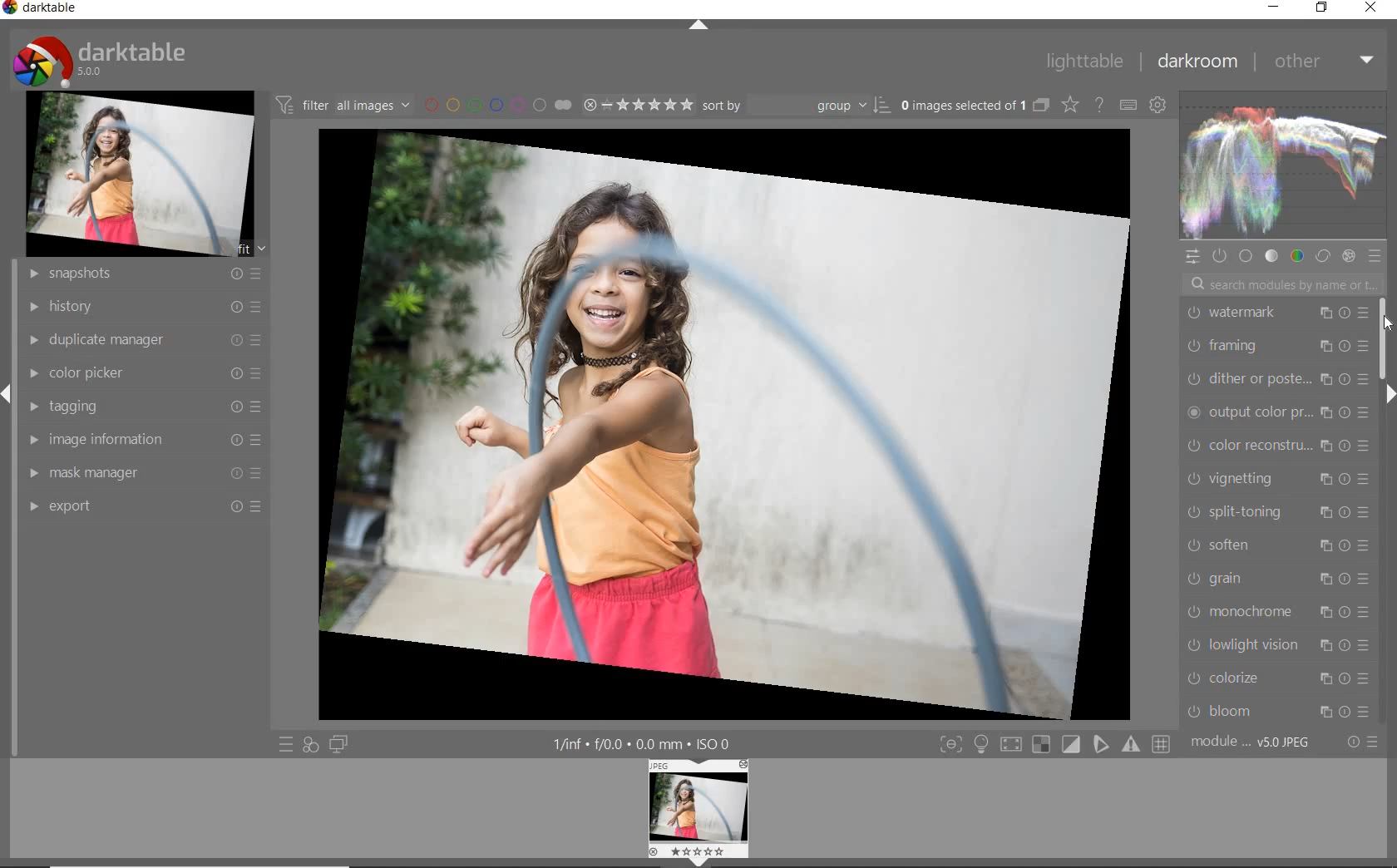  What do you see at coordinates (1276, 678) in the screenshot?
I see `colorize` at bounding box center [1276, 678].